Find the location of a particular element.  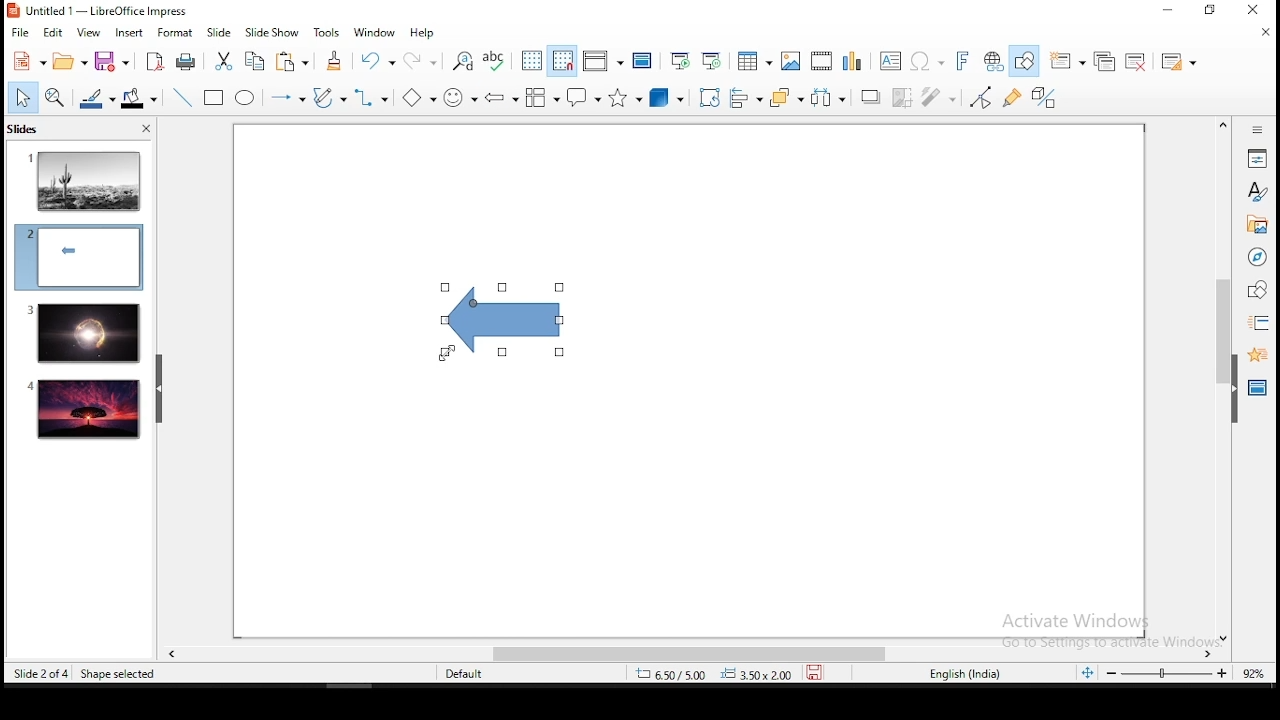

display views is located at coordinates (603, 61).